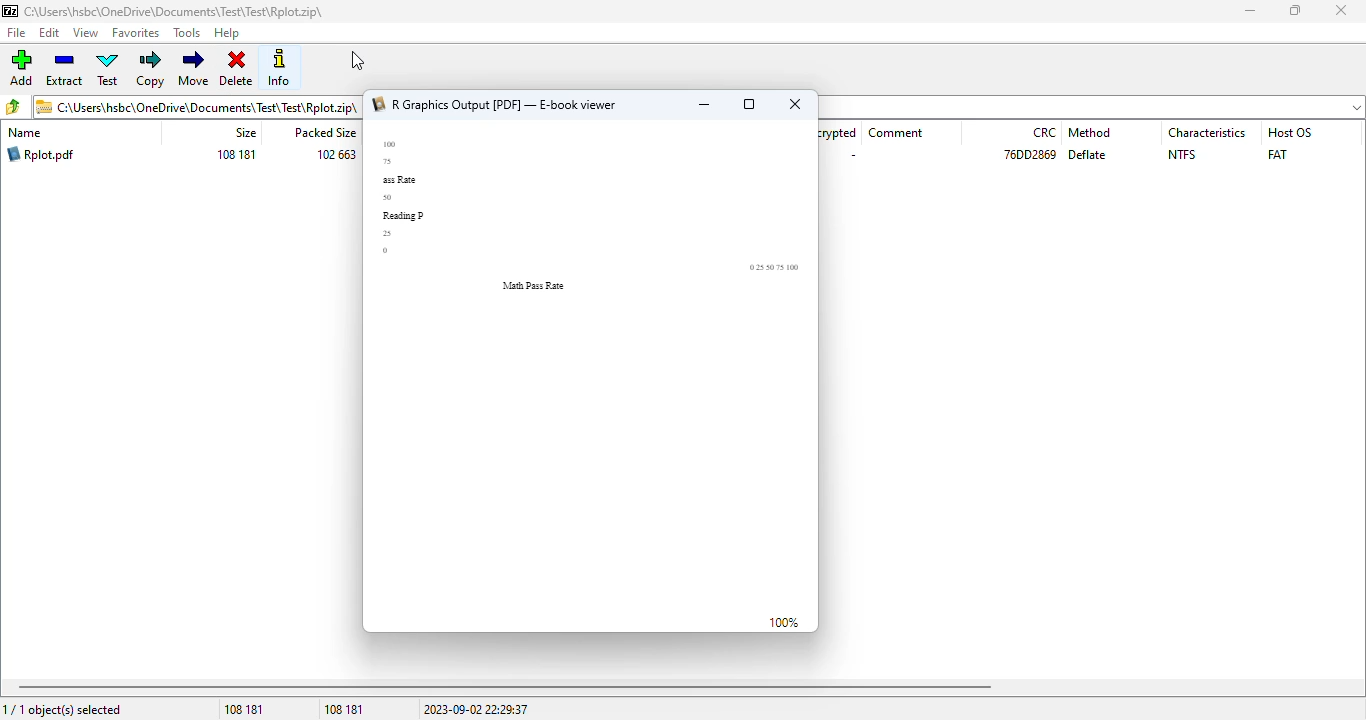 The width and height of the screenshot is (1366, 720). Describe the element at coordinates (1181, 154) in the screenshot. I see `NTFS` at that location.